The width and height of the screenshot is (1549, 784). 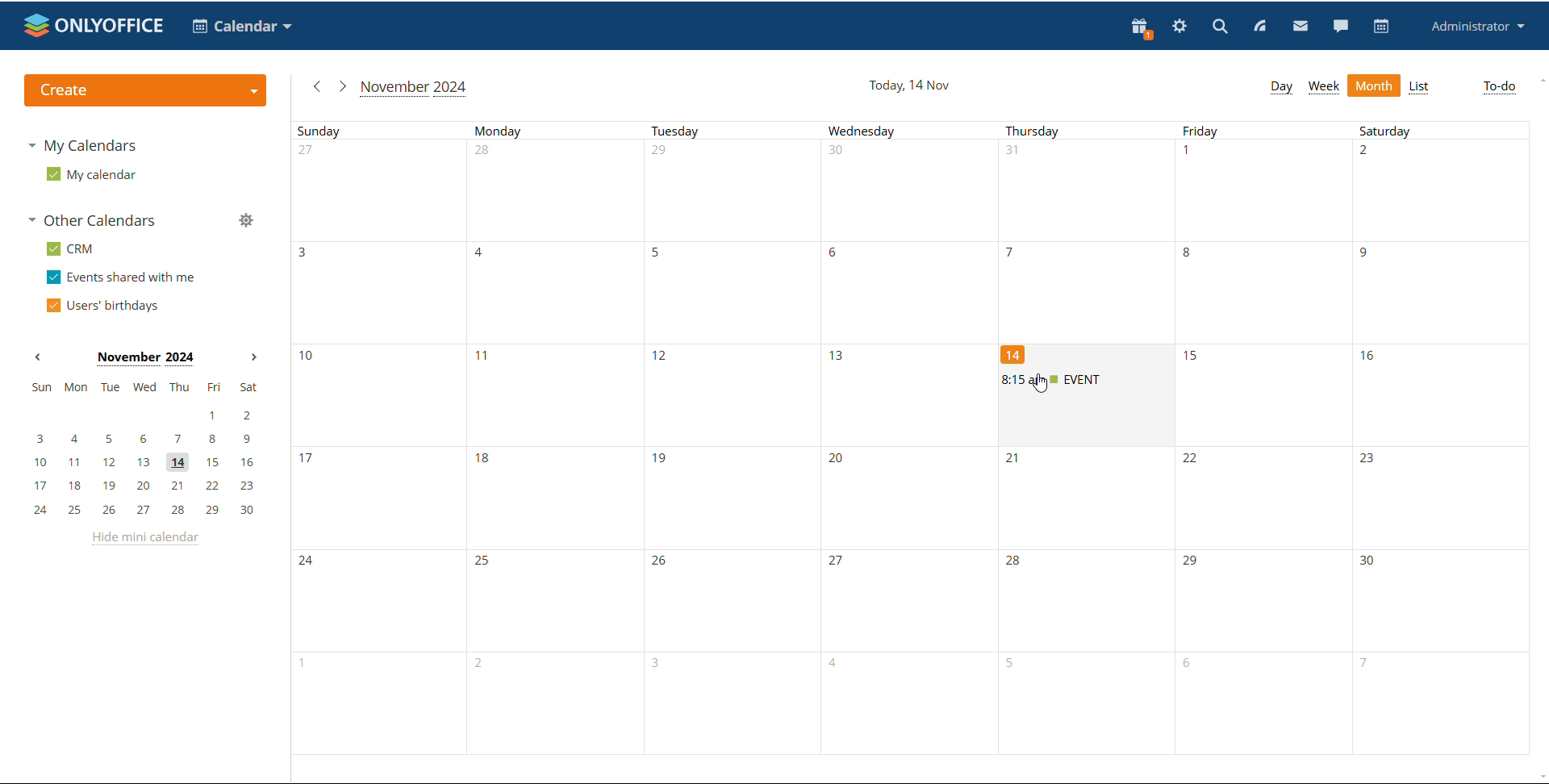 I want to click on 1, 2, so click(x=140, y=416).